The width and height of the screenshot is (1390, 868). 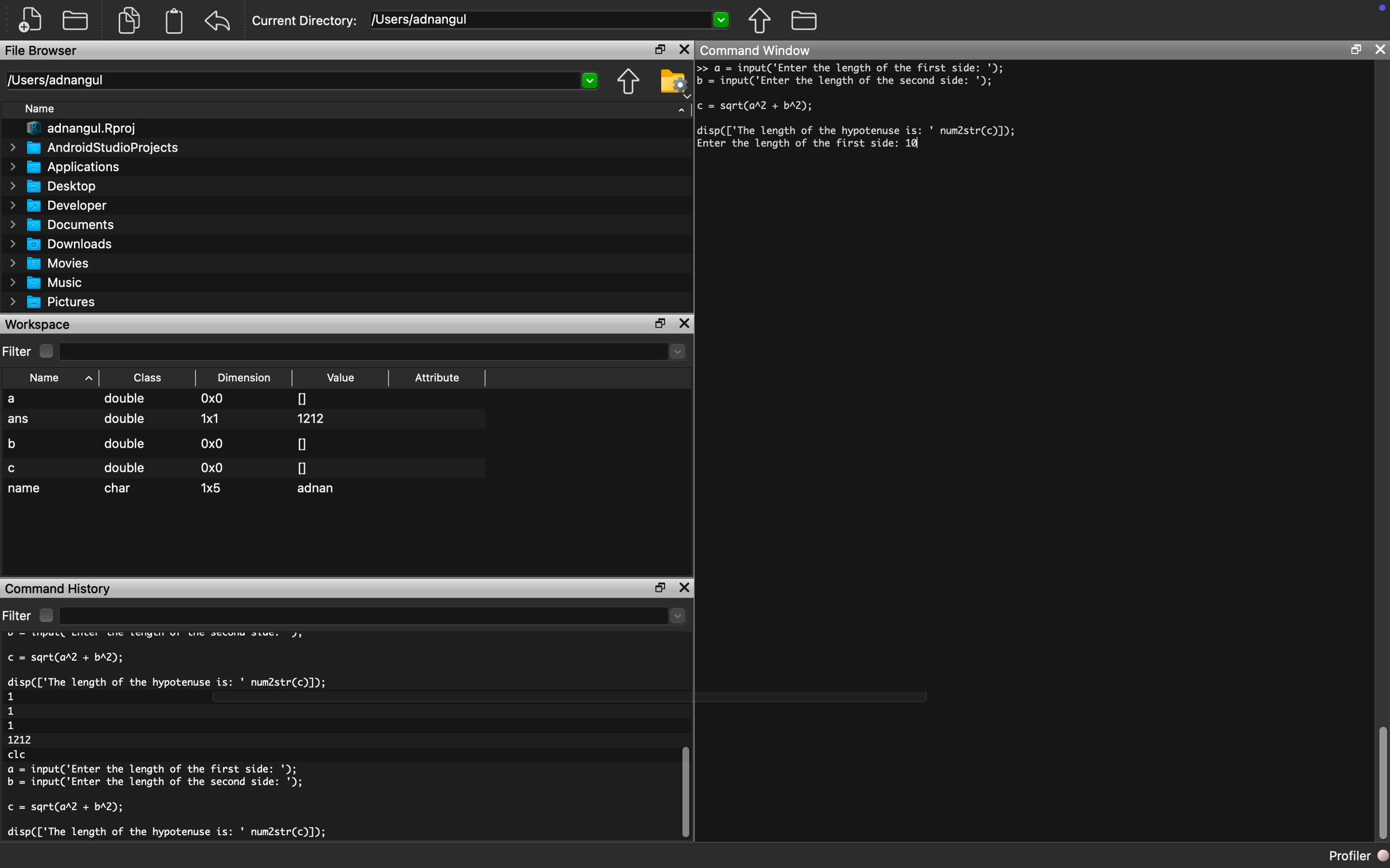 I want to click on Filter, so click(x=18, y=352).